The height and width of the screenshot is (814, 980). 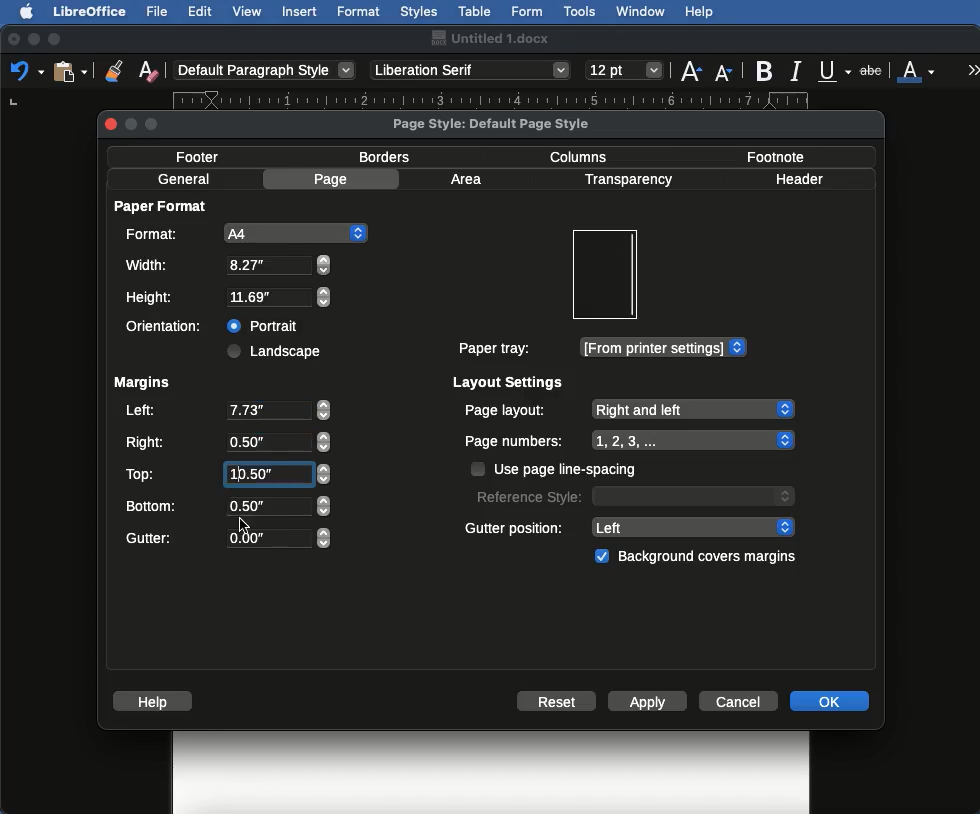 I want to click on Ruler, so click(x=510, y=99).